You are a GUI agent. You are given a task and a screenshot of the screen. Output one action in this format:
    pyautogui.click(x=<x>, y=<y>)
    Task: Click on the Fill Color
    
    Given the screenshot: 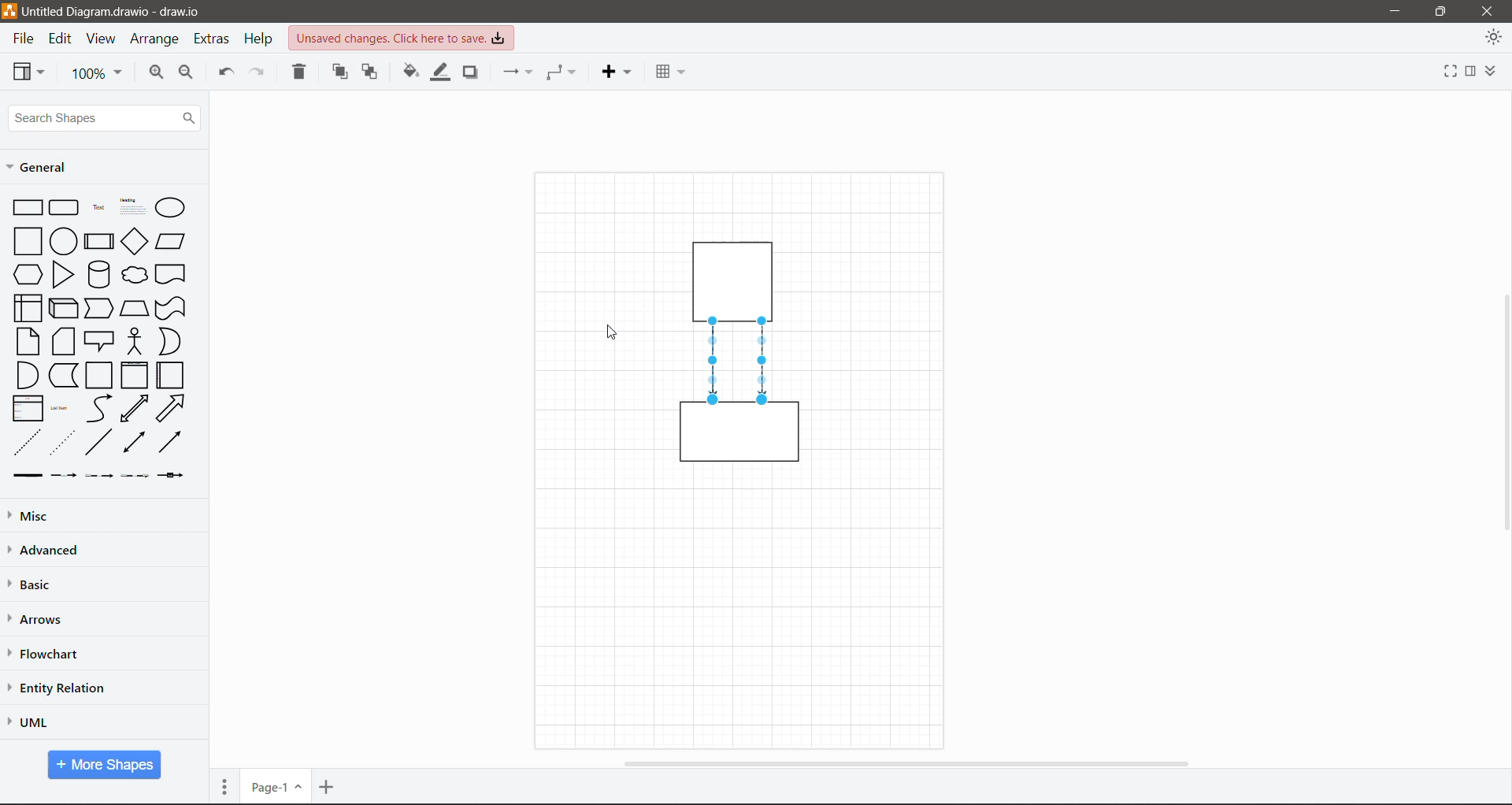 What is the action you would take?
    pyautogui.click(x=409, y=72)
    